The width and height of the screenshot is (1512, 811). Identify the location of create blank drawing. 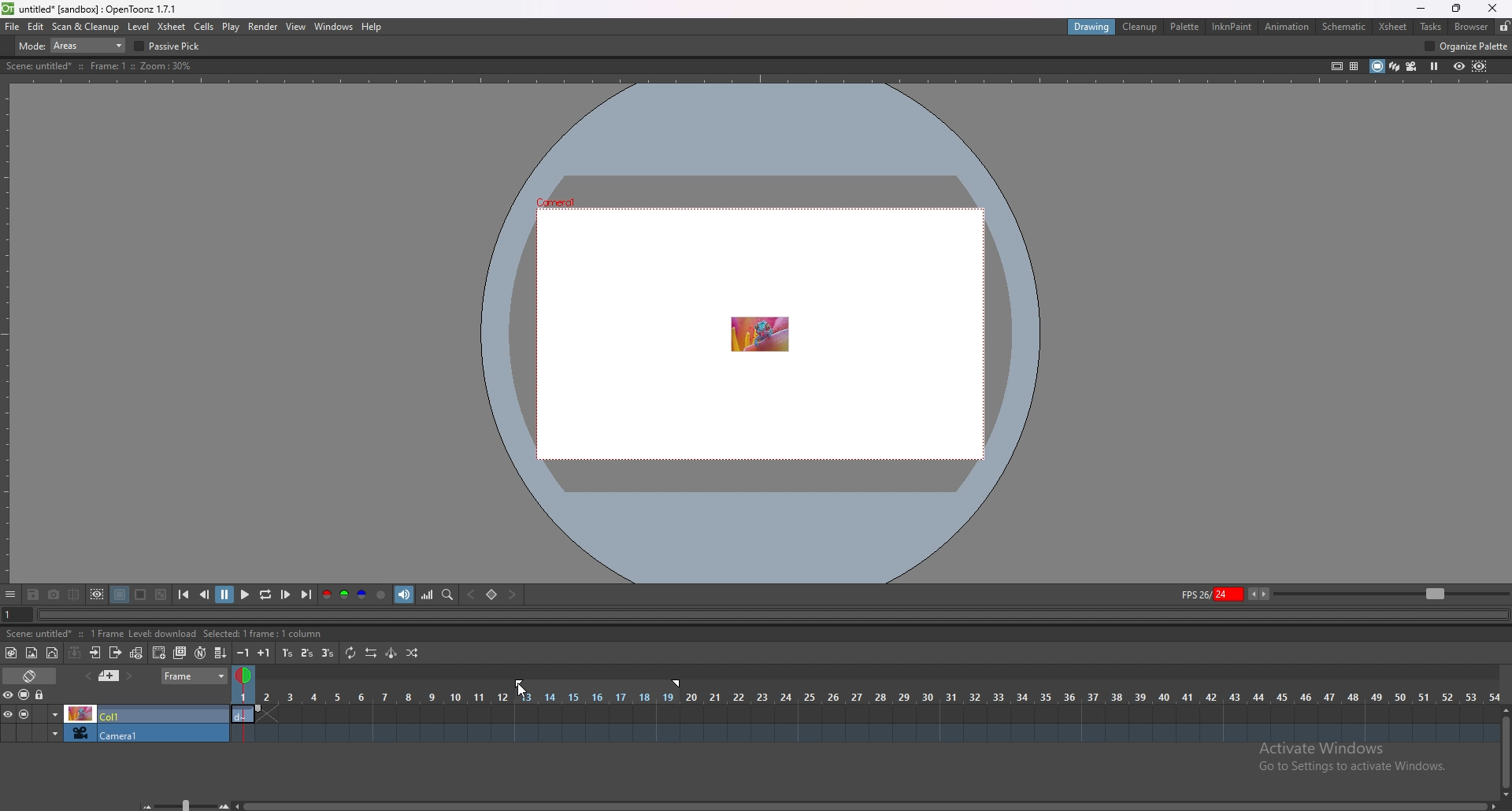
(159, 653).